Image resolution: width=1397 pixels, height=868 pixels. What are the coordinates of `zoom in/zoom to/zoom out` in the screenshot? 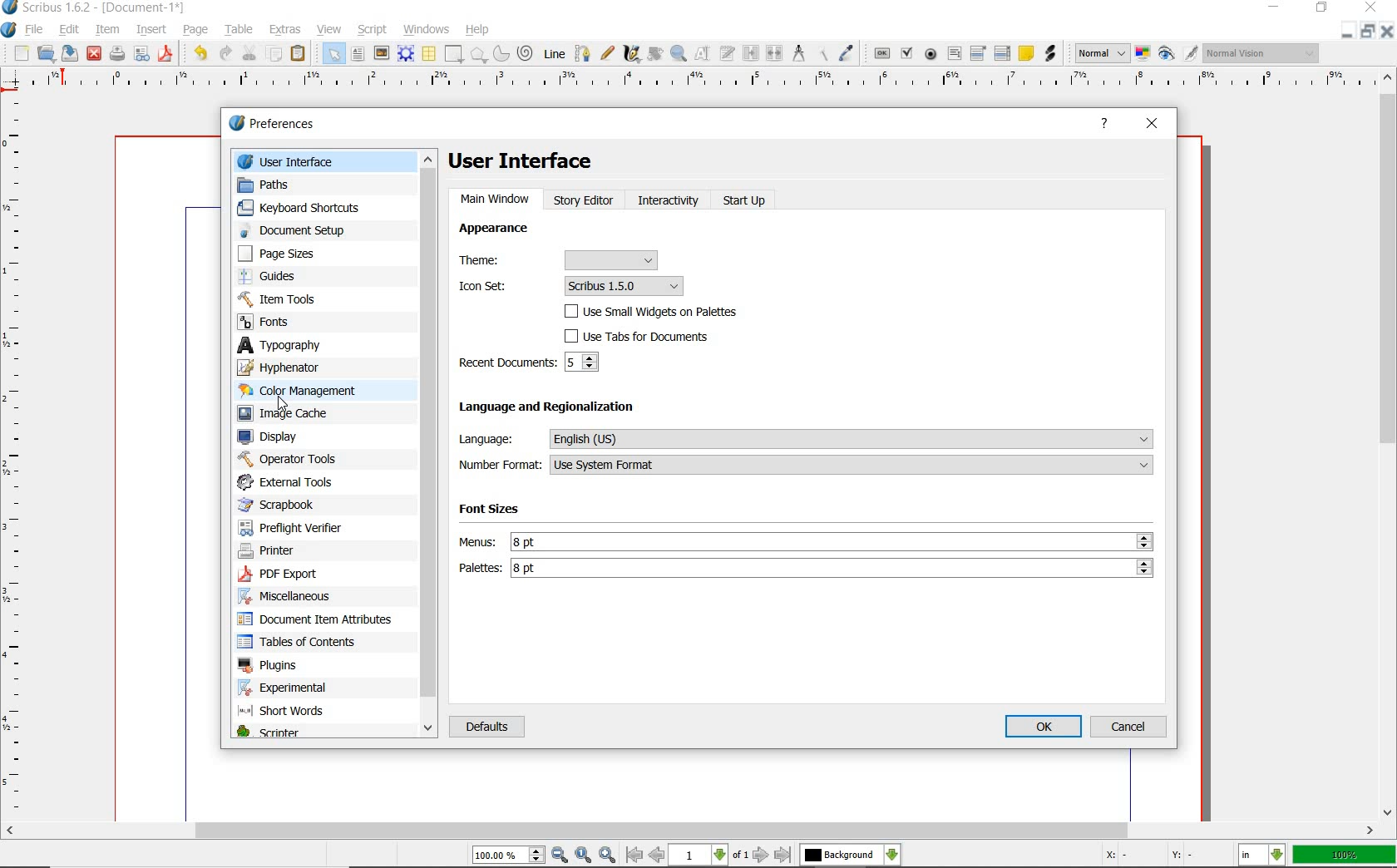 It's located at (546, 856).